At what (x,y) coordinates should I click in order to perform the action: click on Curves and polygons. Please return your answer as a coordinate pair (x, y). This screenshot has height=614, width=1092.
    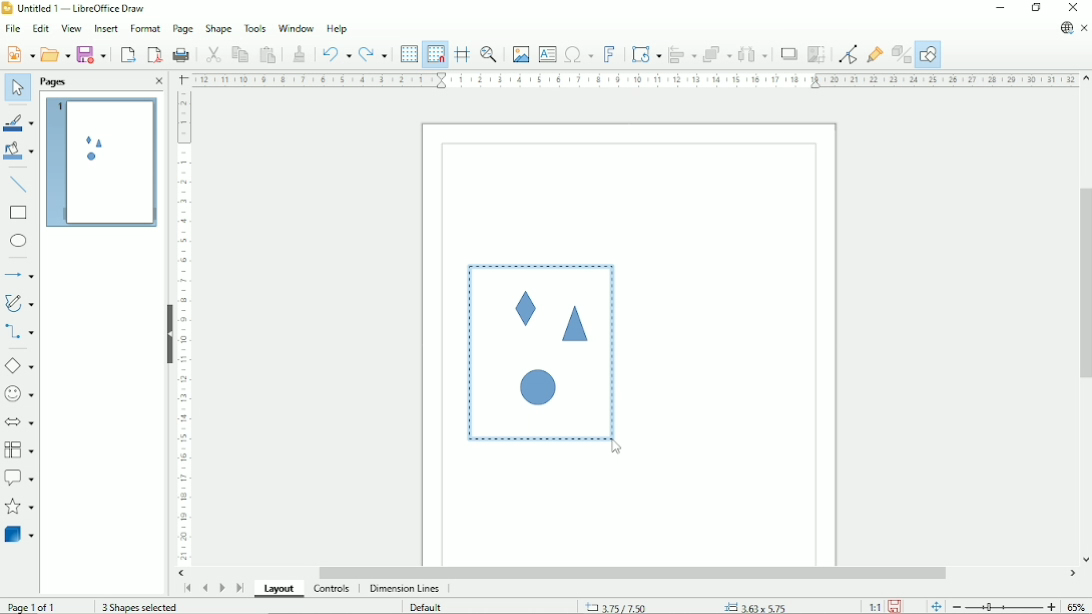
    Looking at the image, I should click on (19, 303).